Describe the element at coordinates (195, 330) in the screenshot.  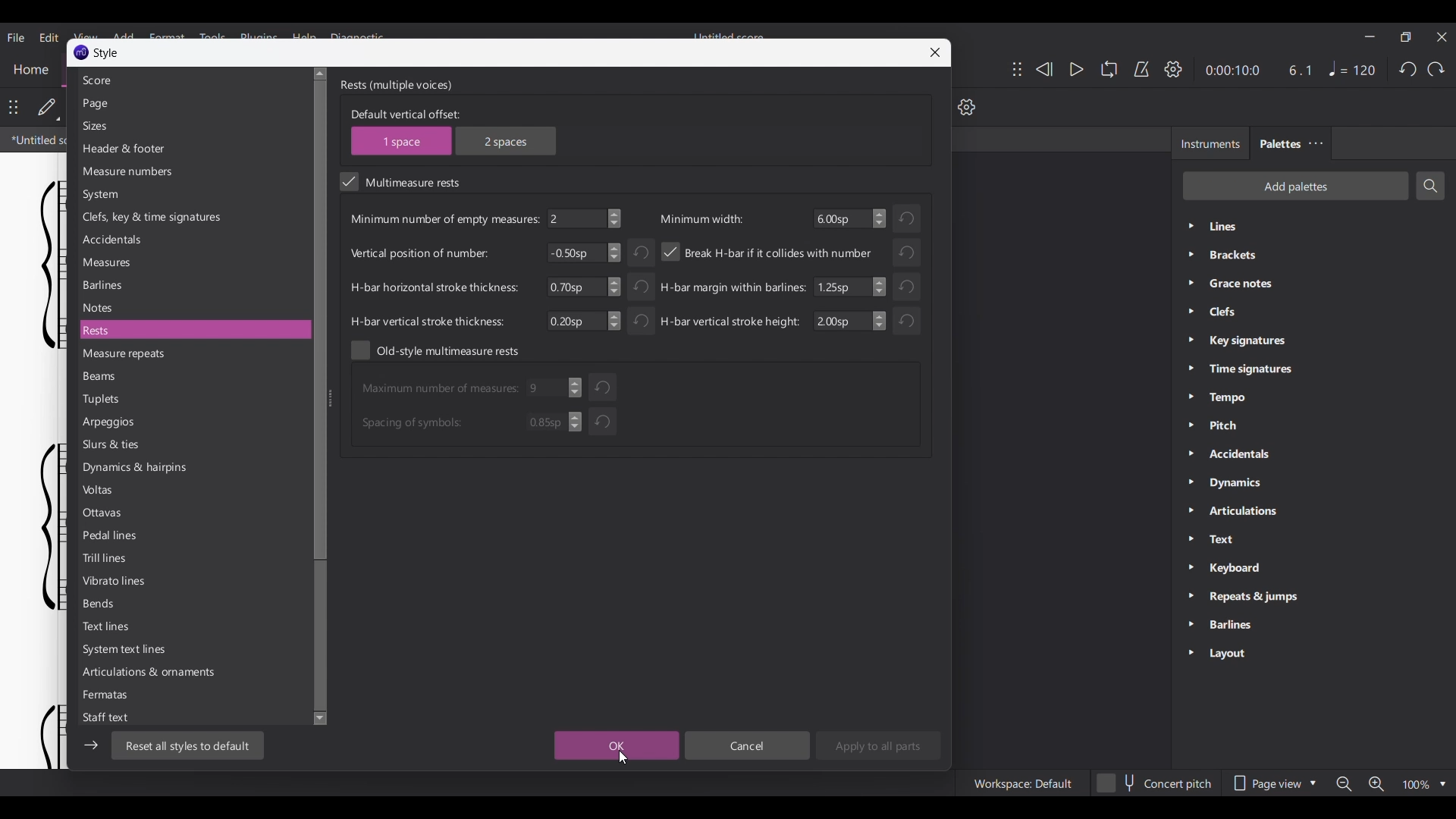
I see `Rests, current selection highlighted` at that location.